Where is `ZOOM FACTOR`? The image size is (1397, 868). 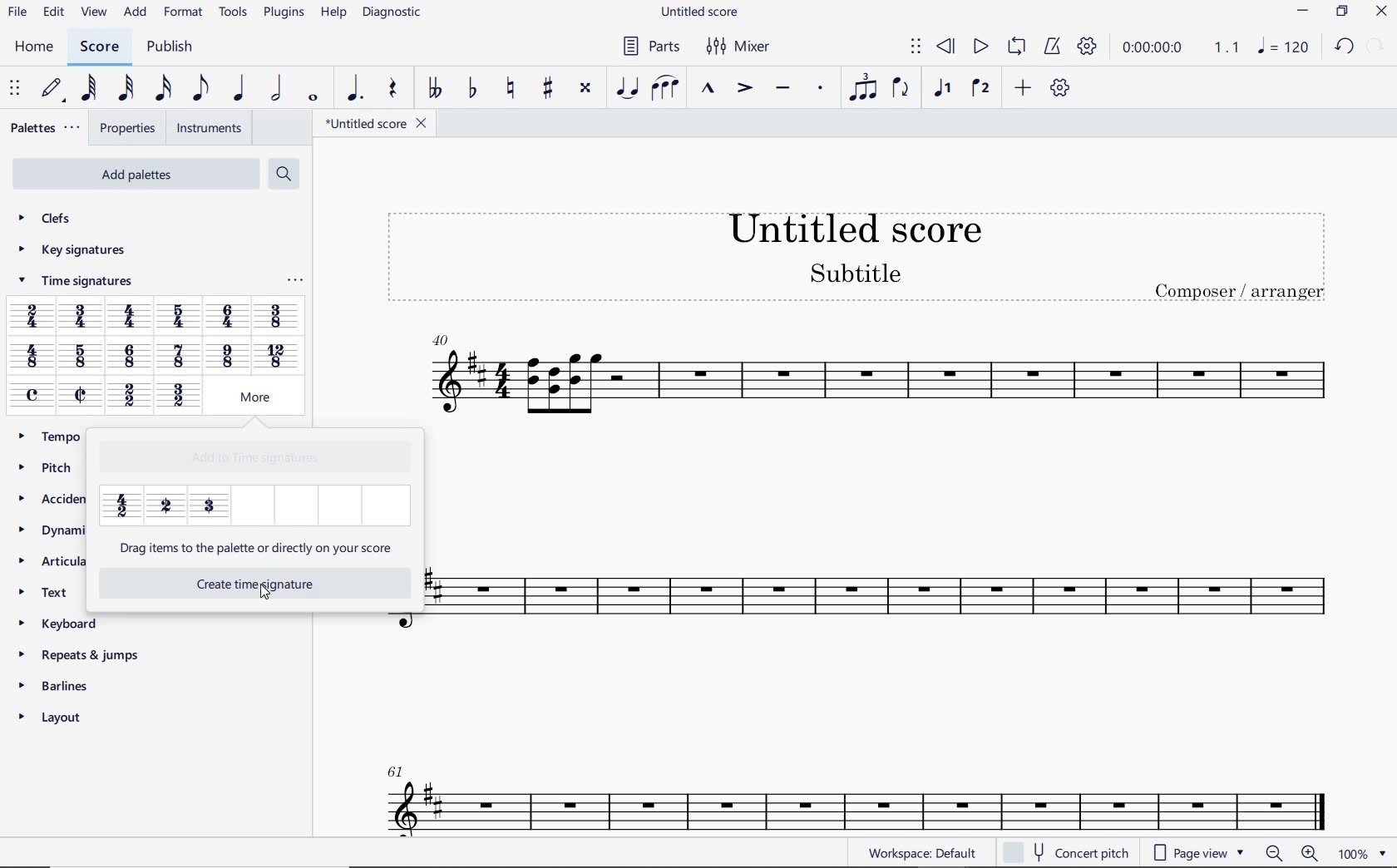 ZOOM FACTOR is located at coordinates (1361, 854).